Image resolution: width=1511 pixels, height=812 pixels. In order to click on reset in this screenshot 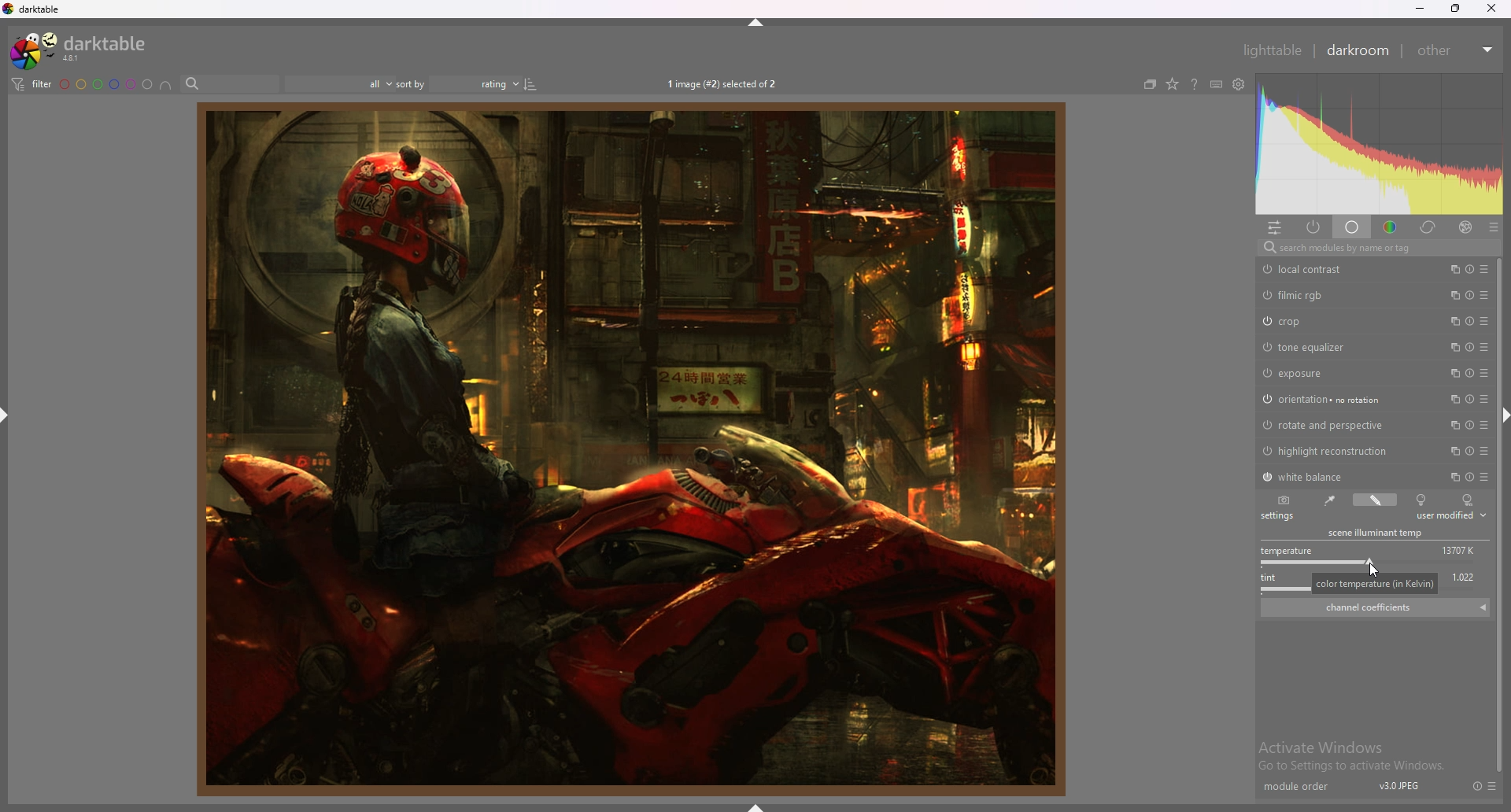, I will do `click(1471, 400)`.